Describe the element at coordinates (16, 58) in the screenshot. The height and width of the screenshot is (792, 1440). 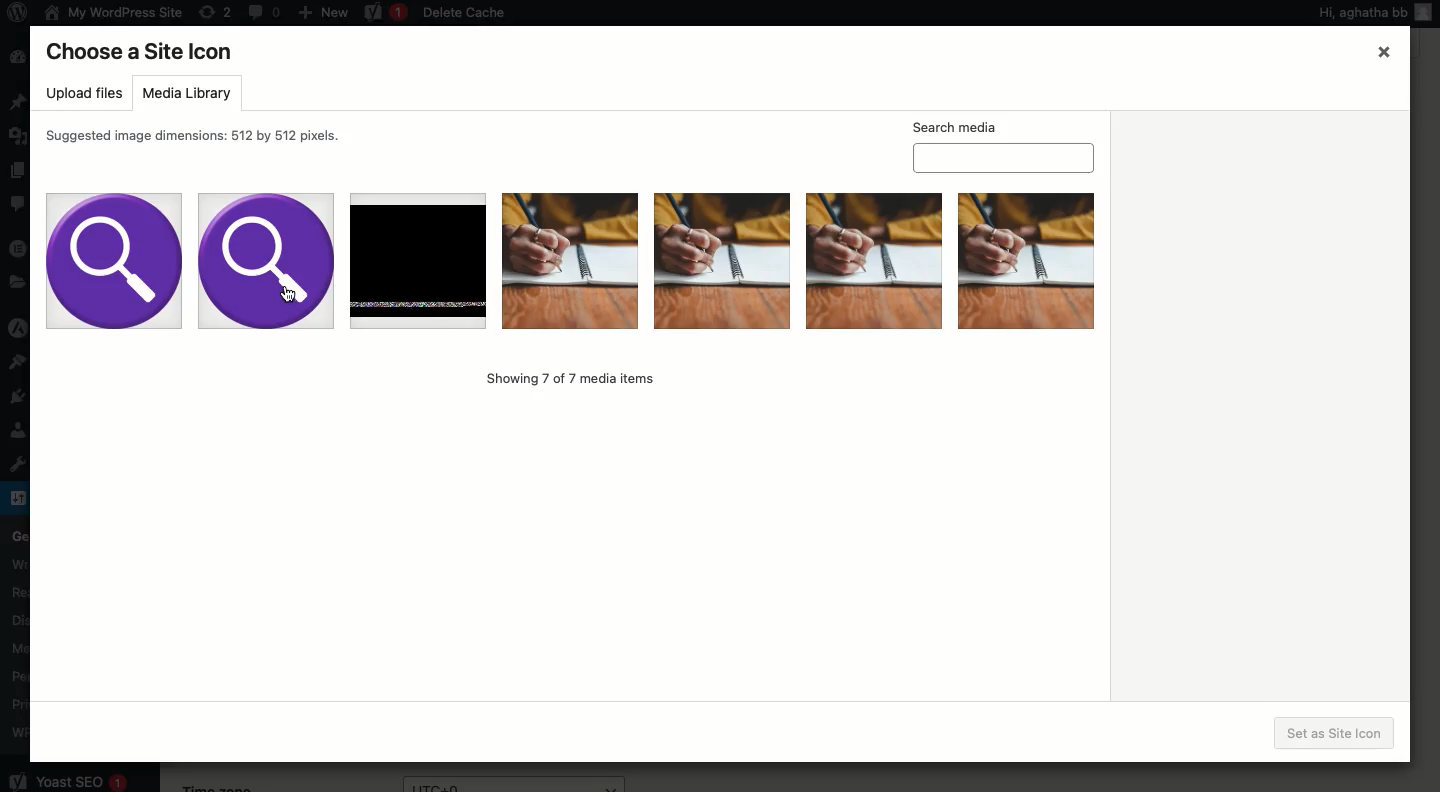
I see `Dashboard` at that location.